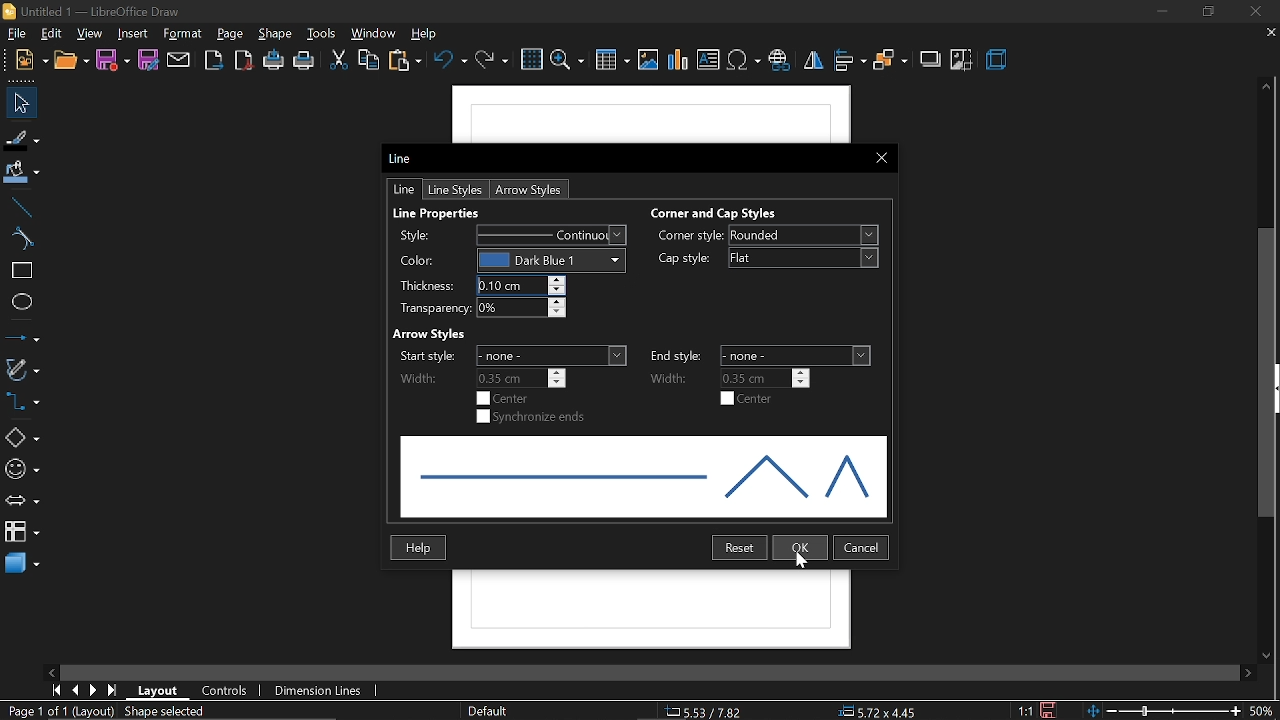 Image resolution: width=1280 pixels, height=720 pixels. Describe the element at coordinates (172, 713) in the screenshot. I see `selection ` at that location.